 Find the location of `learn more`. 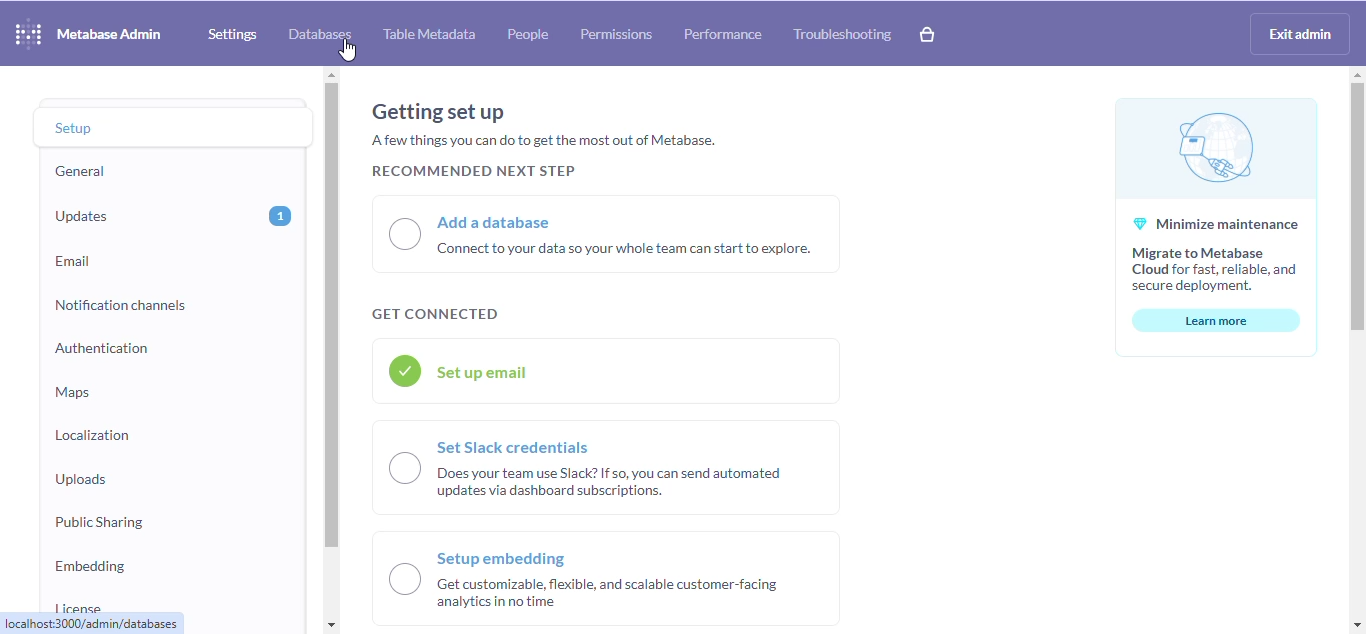

learn more is located at coordinates (1217, 320).